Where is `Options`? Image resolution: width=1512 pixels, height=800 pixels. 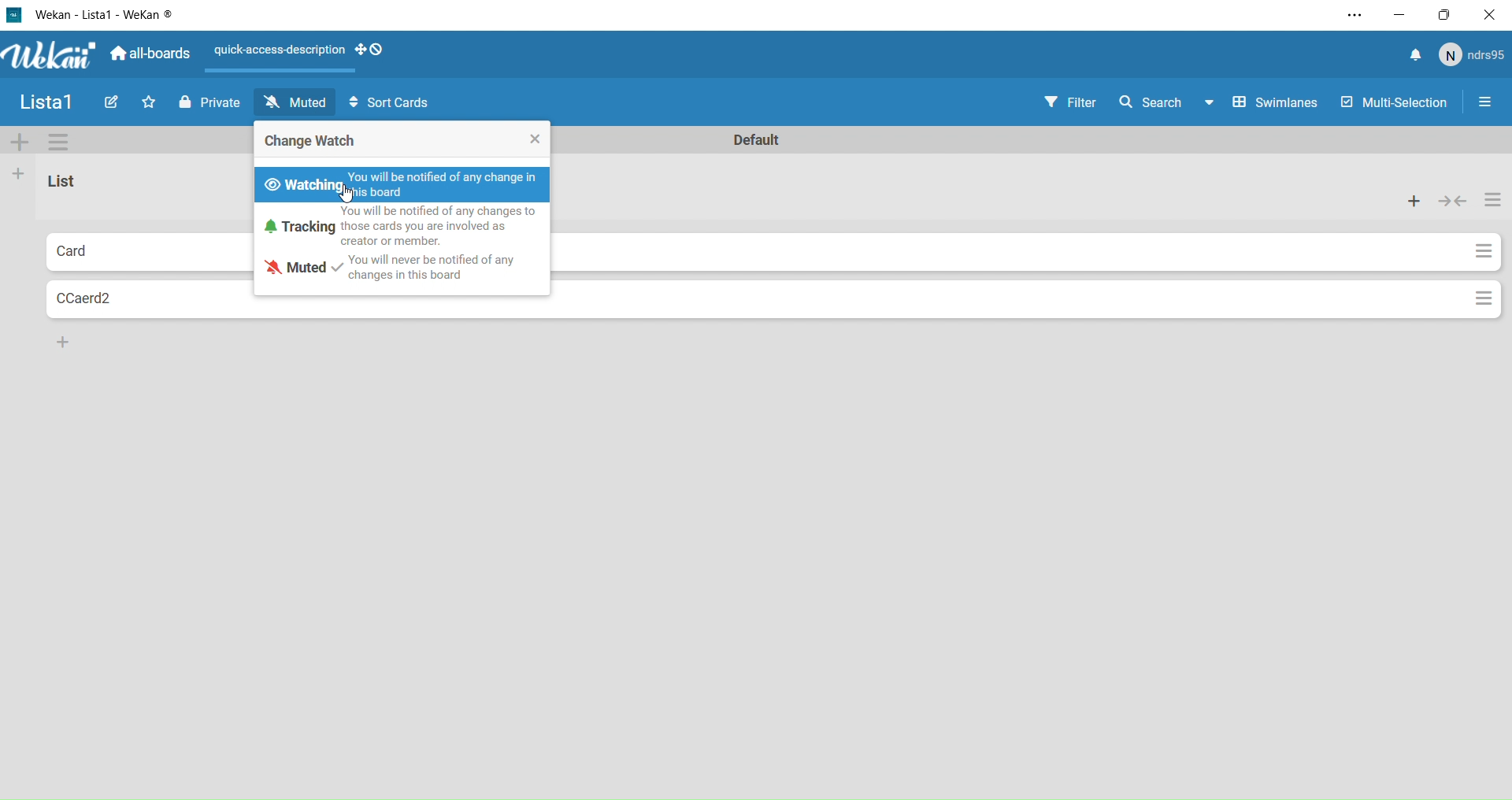
Options is located at coordinates (1495, 201).